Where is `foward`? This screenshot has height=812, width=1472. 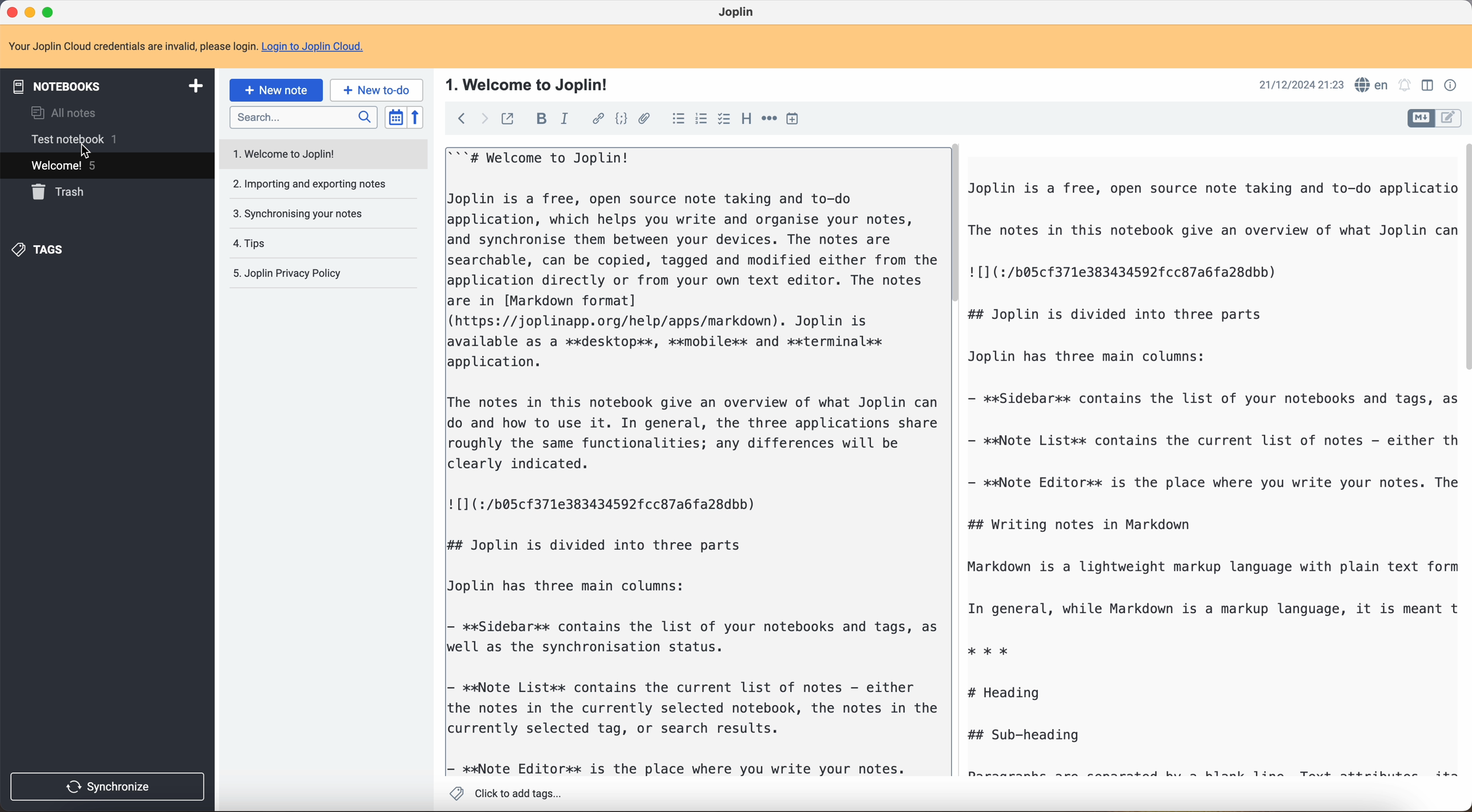
foward is located at coordinates (485, 118).